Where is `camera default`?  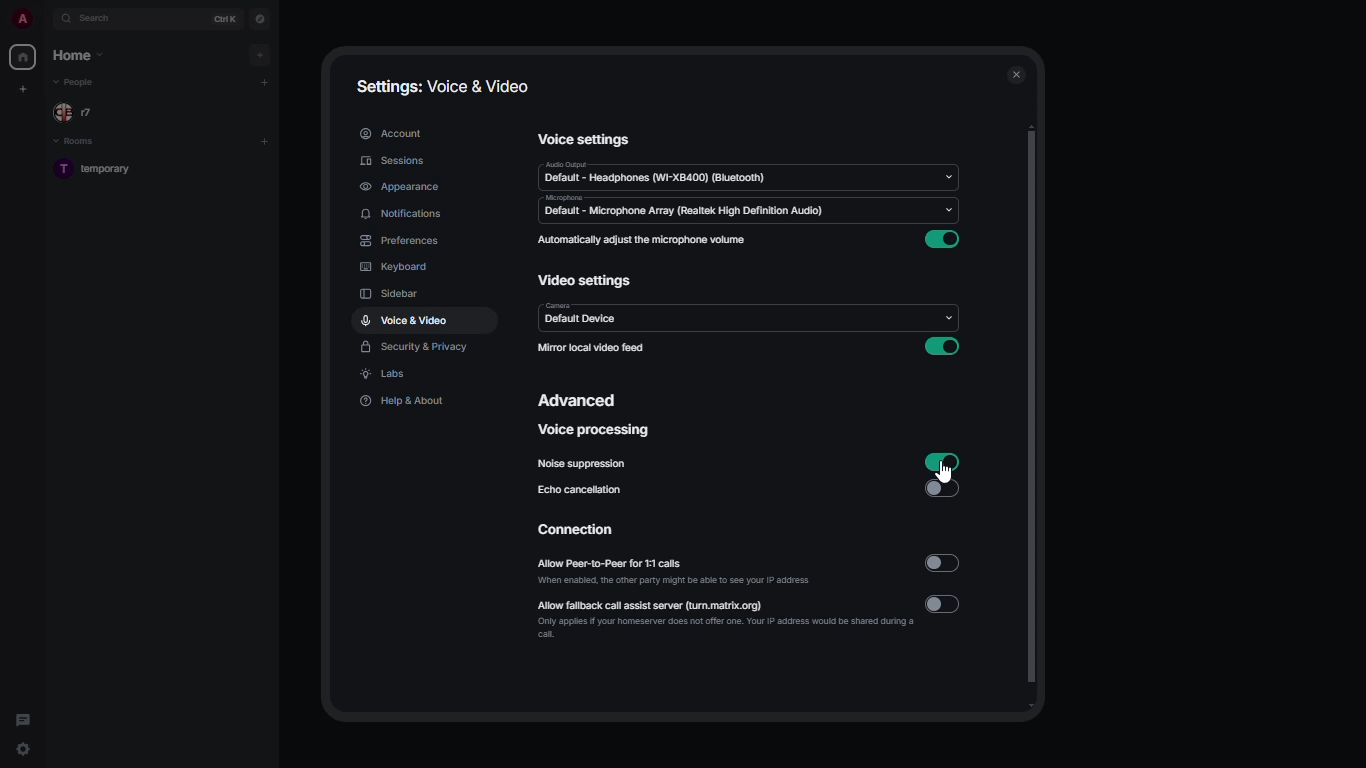
camera default is located at coordinates (582, 317).